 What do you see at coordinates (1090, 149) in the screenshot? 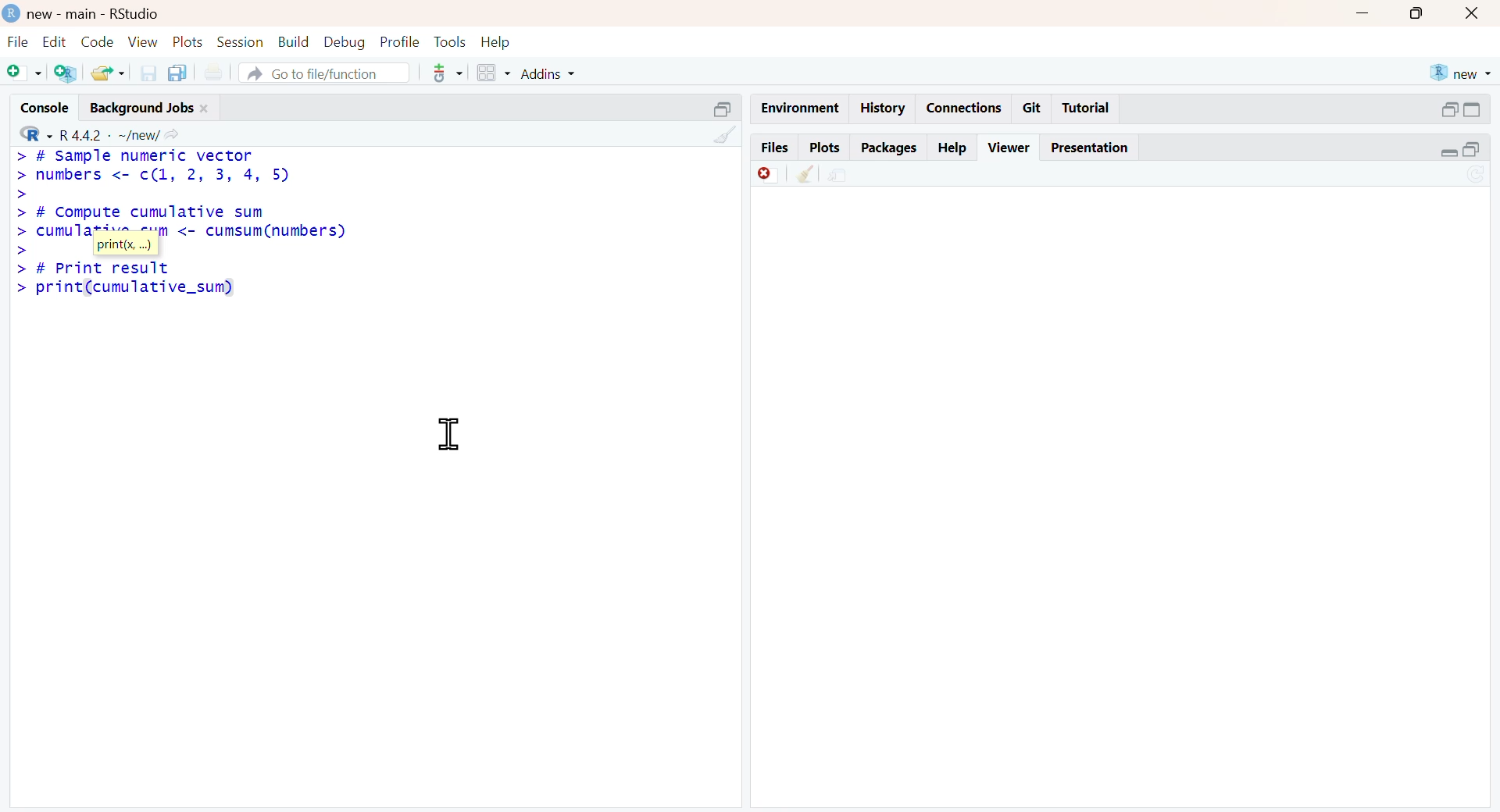
I see `Presentation` at bounding box center [1090, 149].